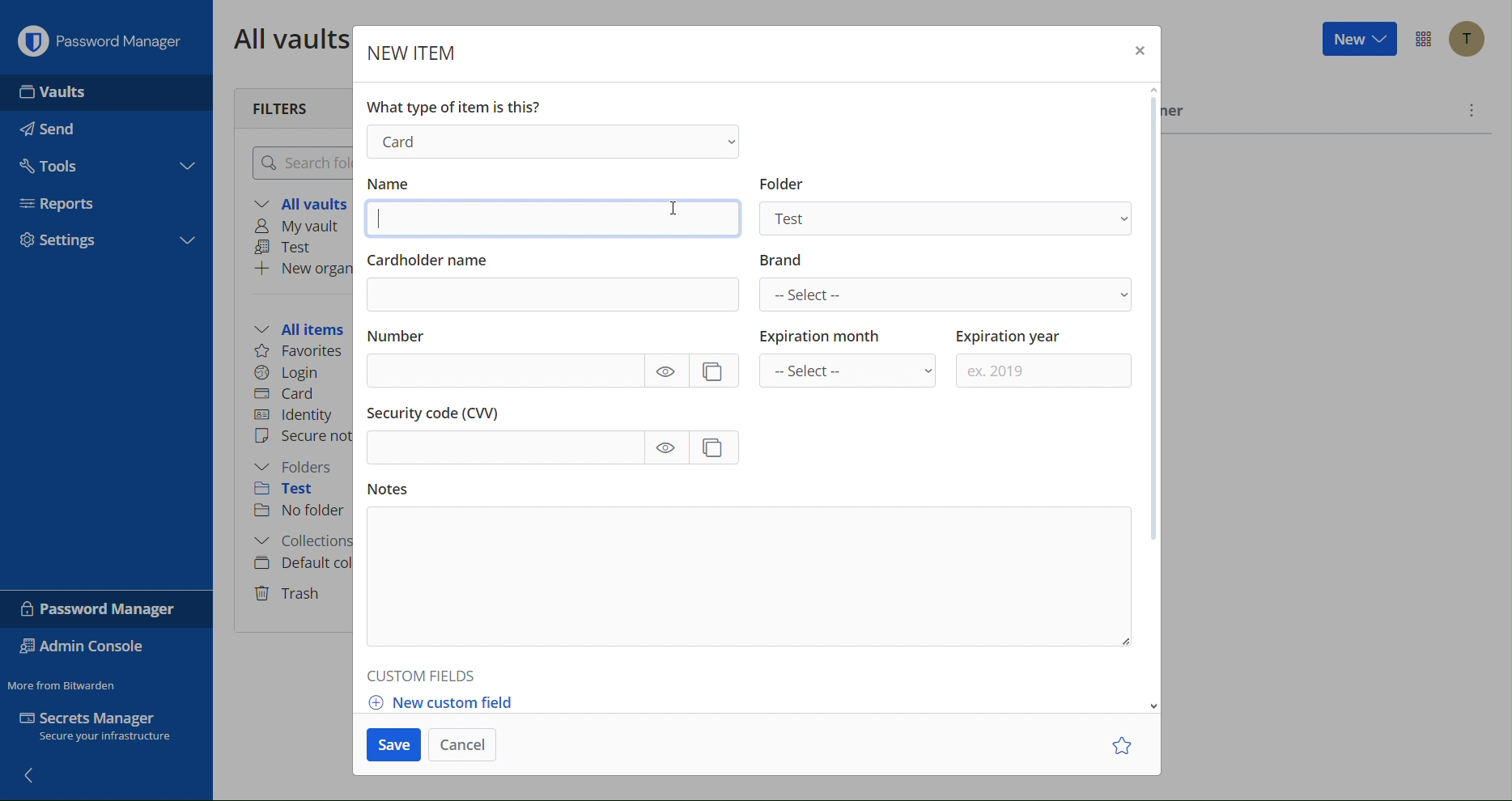 This screenshot has width=1512, height=801. I want to click on Test, so click(946, 222).